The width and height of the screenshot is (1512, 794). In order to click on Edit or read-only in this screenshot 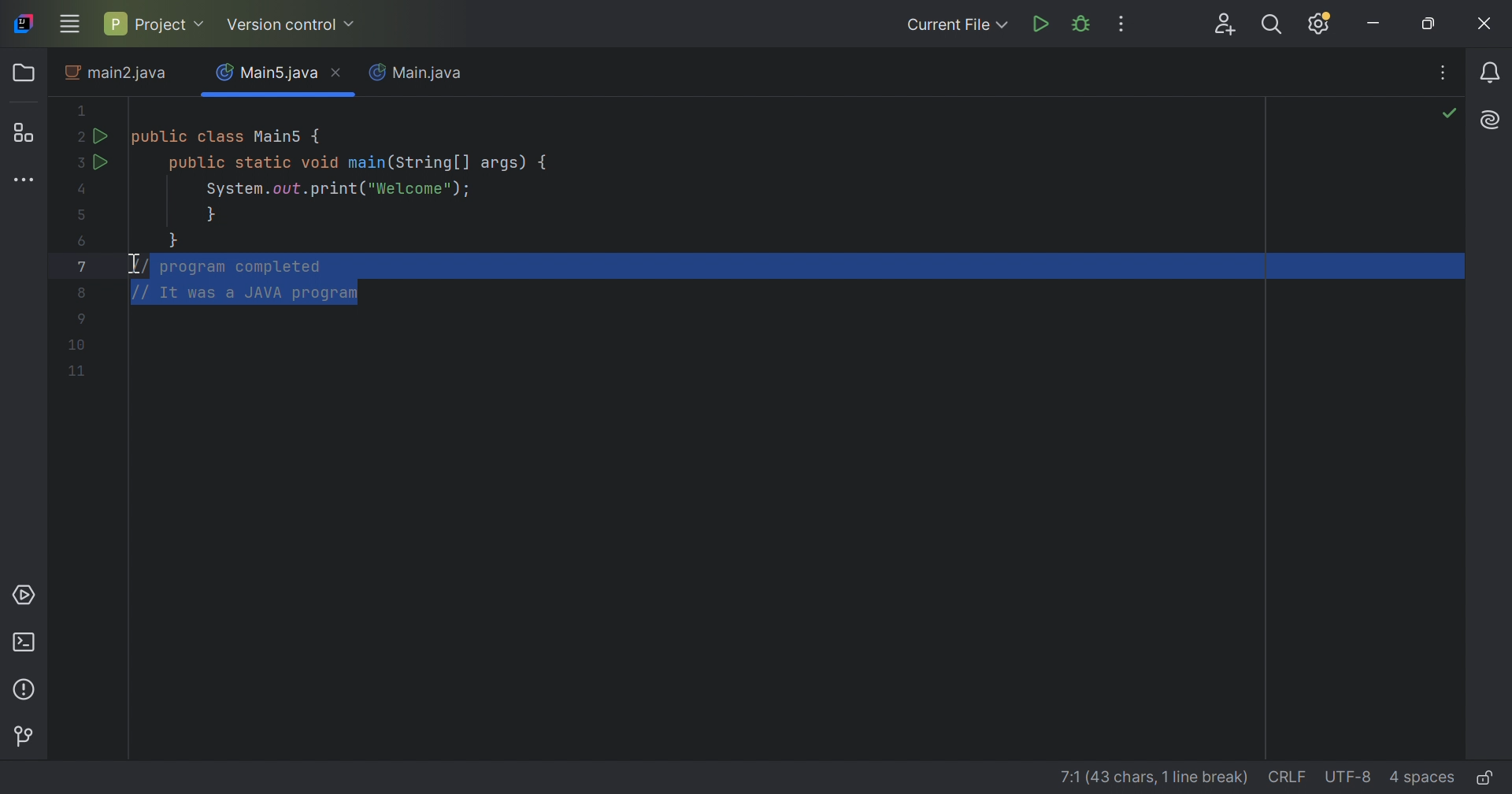, I will do `click(1489, 777)`.